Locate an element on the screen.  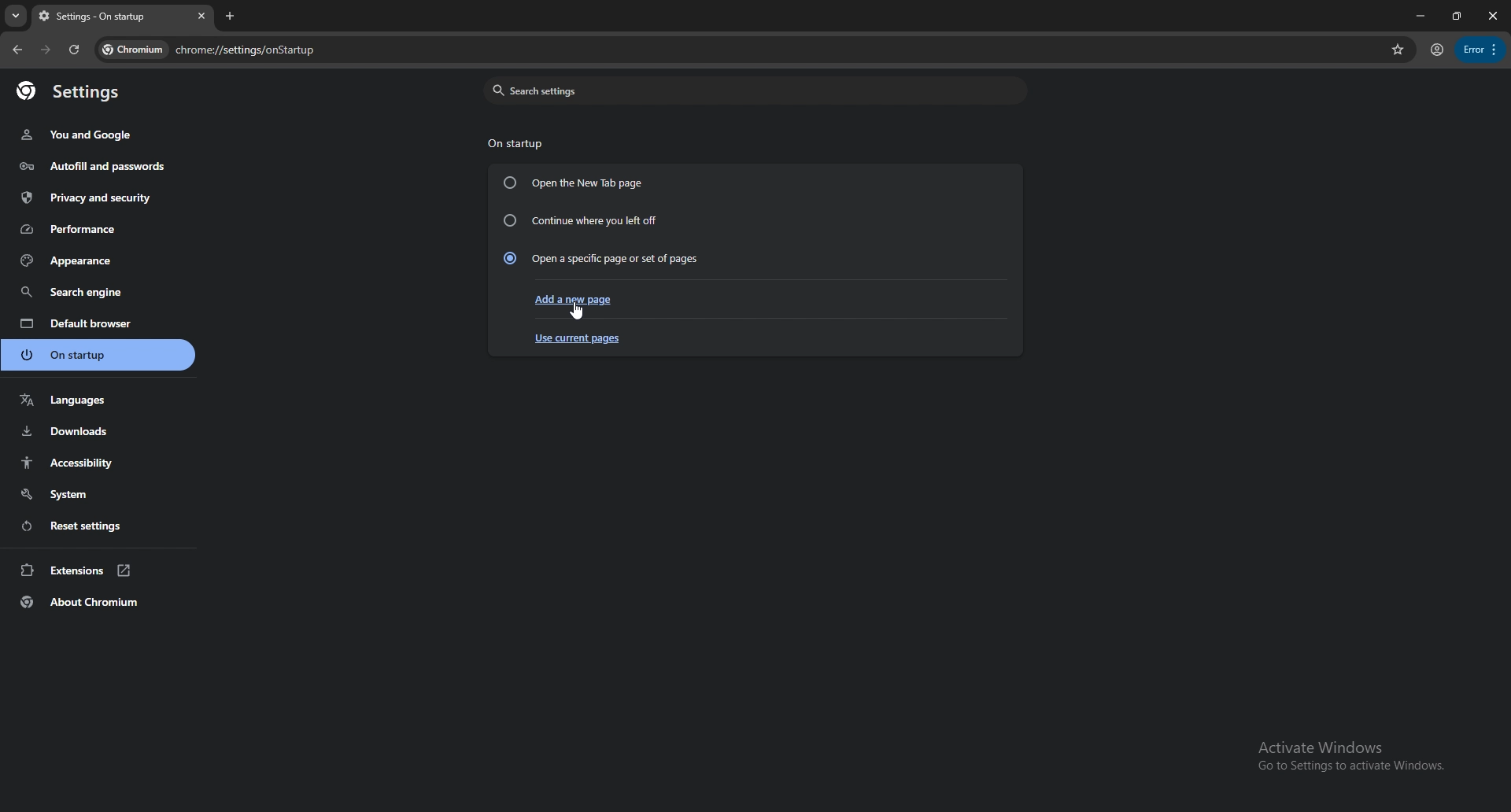
cursor is located at coordinates (578, 315).